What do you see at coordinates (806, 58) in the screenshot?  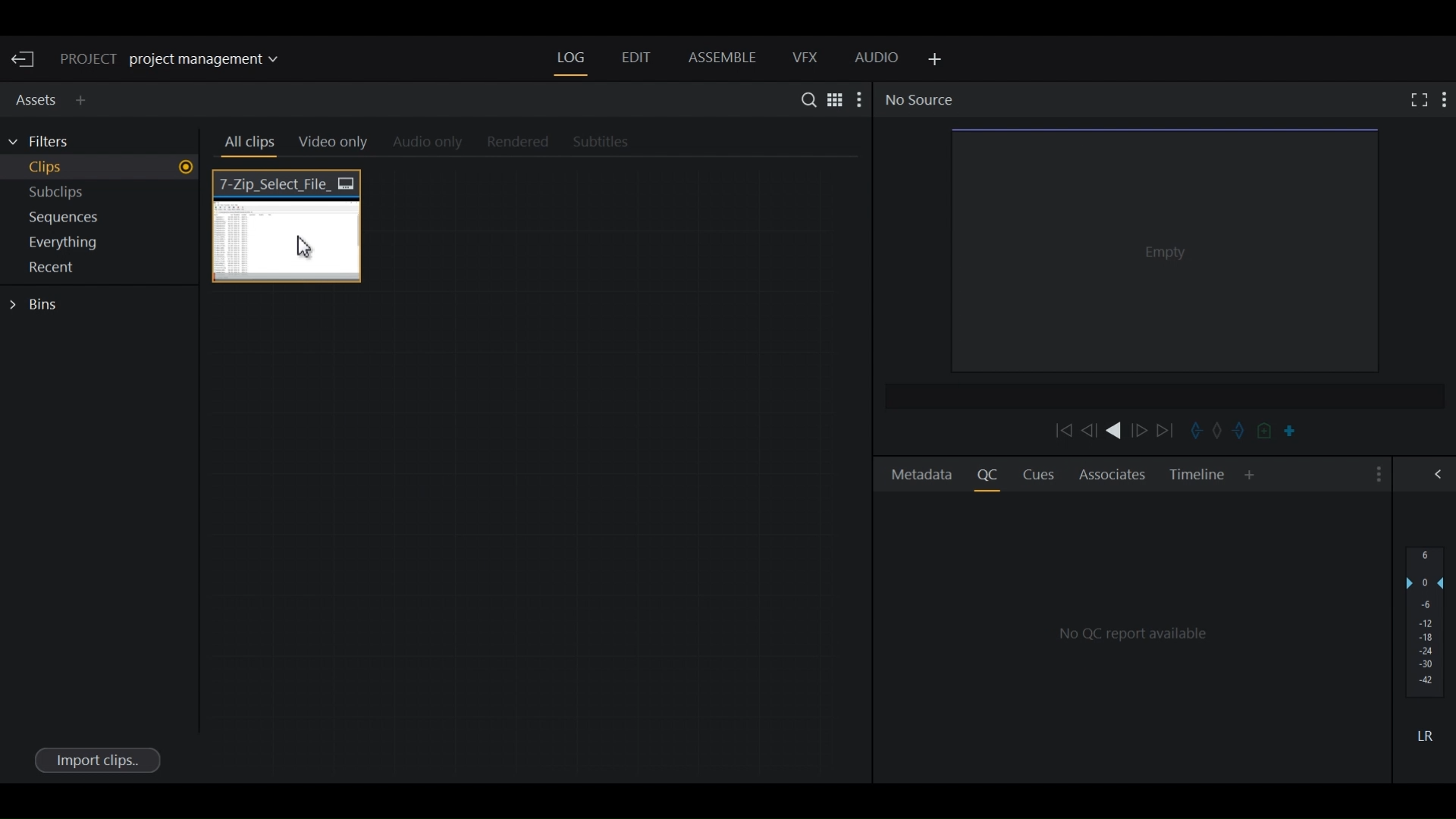 I see `VFX` at bounding box center [806, 58].